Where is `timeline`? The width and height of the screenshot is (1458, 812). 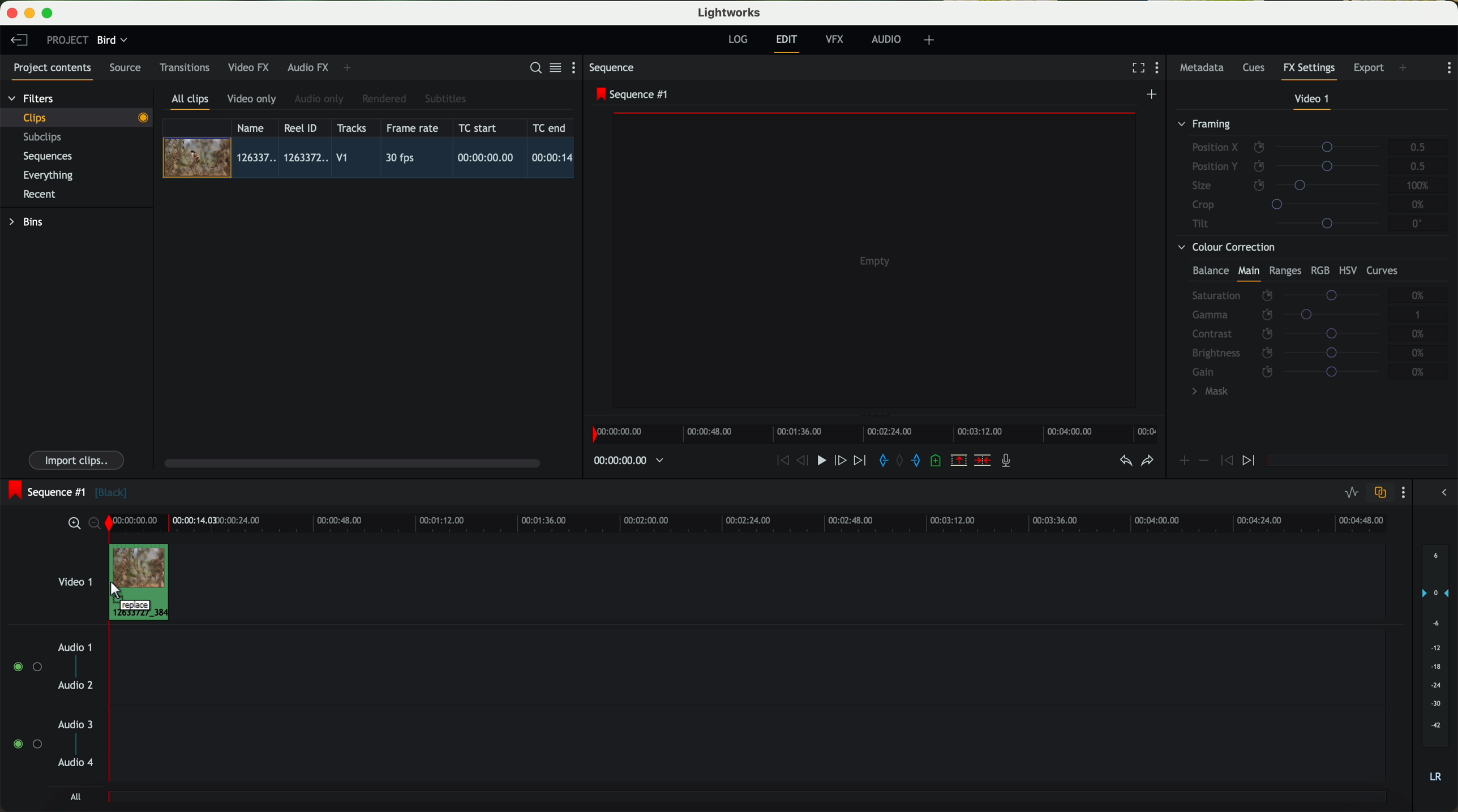 timeline is located at coordinates (778, 522).